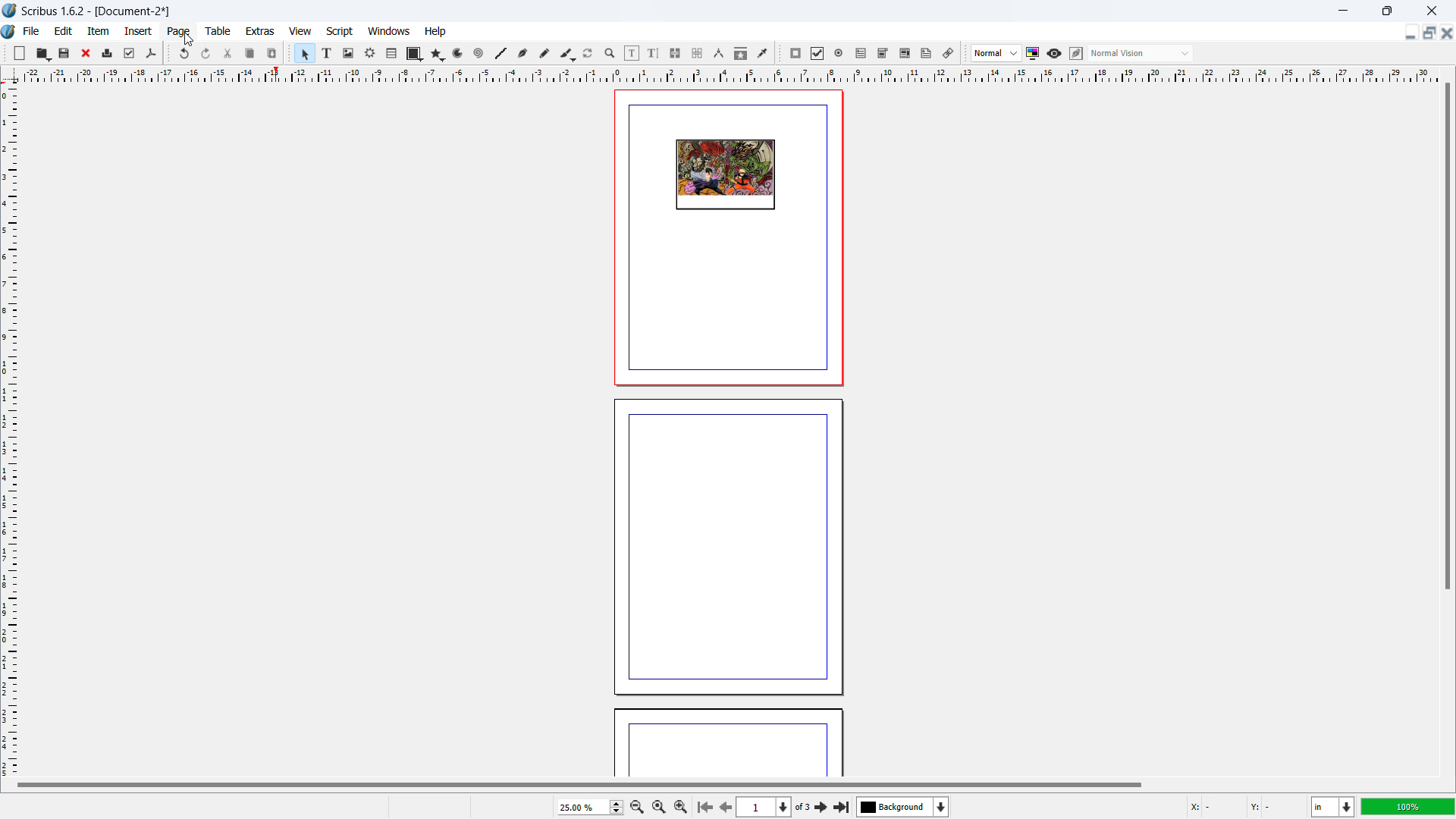  I want to click on select item, so click(305, 54).